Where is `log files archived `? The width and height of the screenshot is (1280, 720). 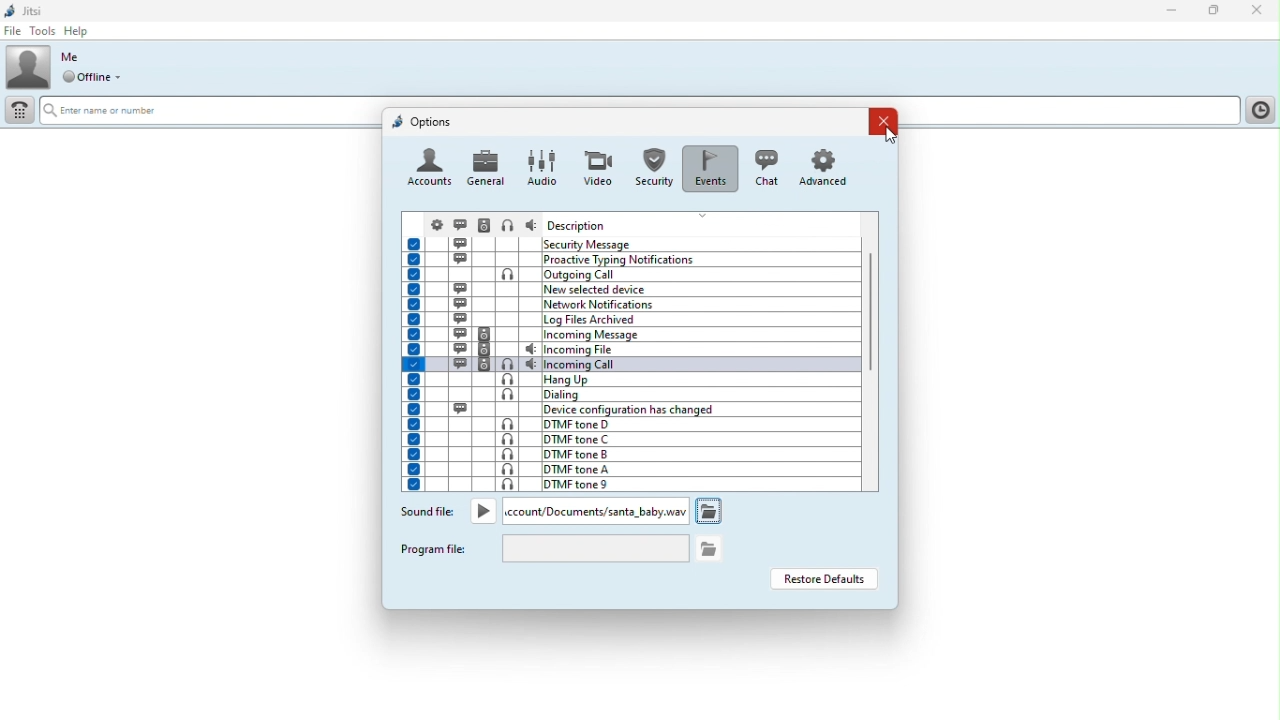 log files archived  is located at coordinates (630, 319).